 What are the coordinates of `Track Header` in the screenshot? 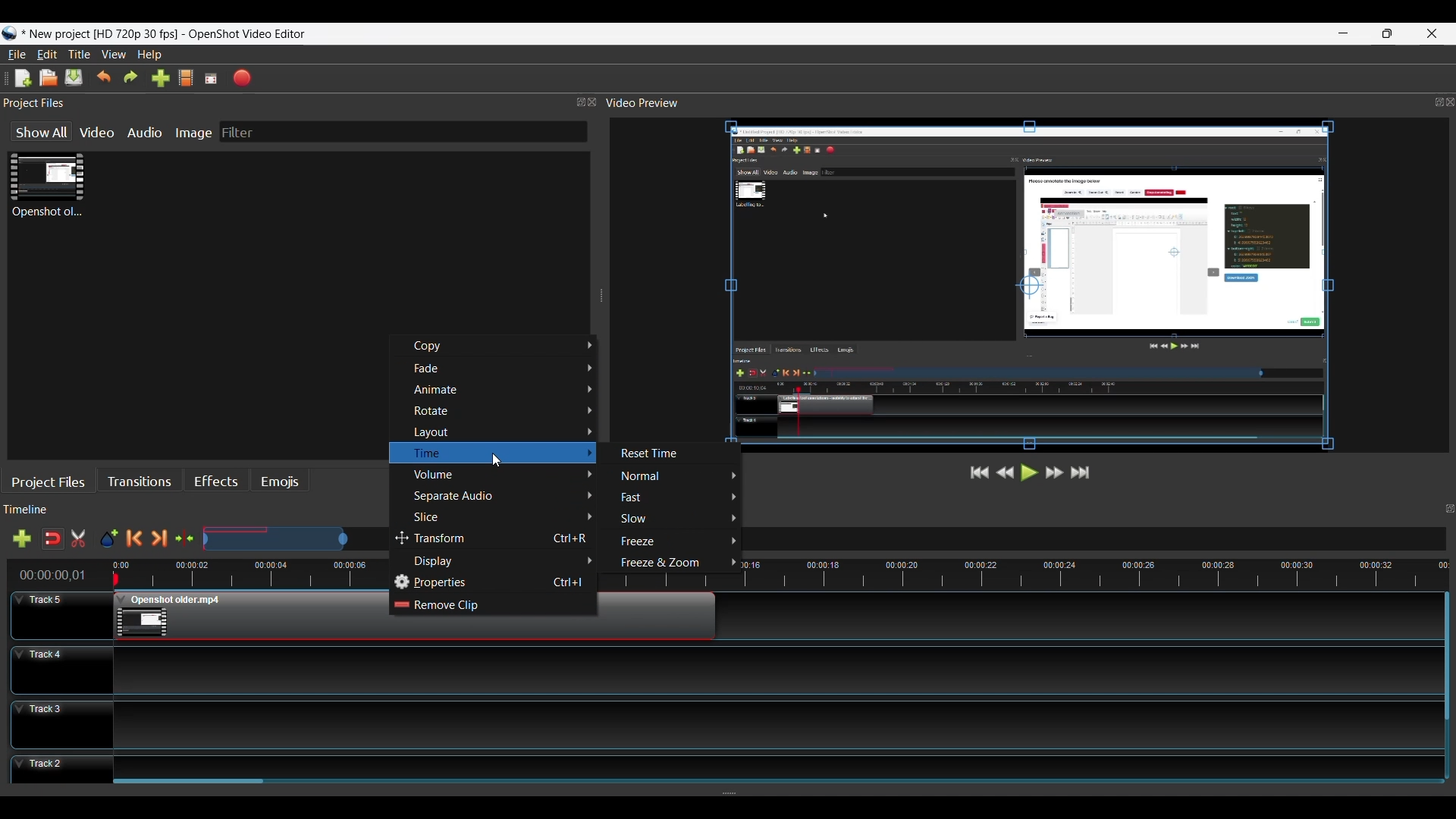 It's located at (63, 723).